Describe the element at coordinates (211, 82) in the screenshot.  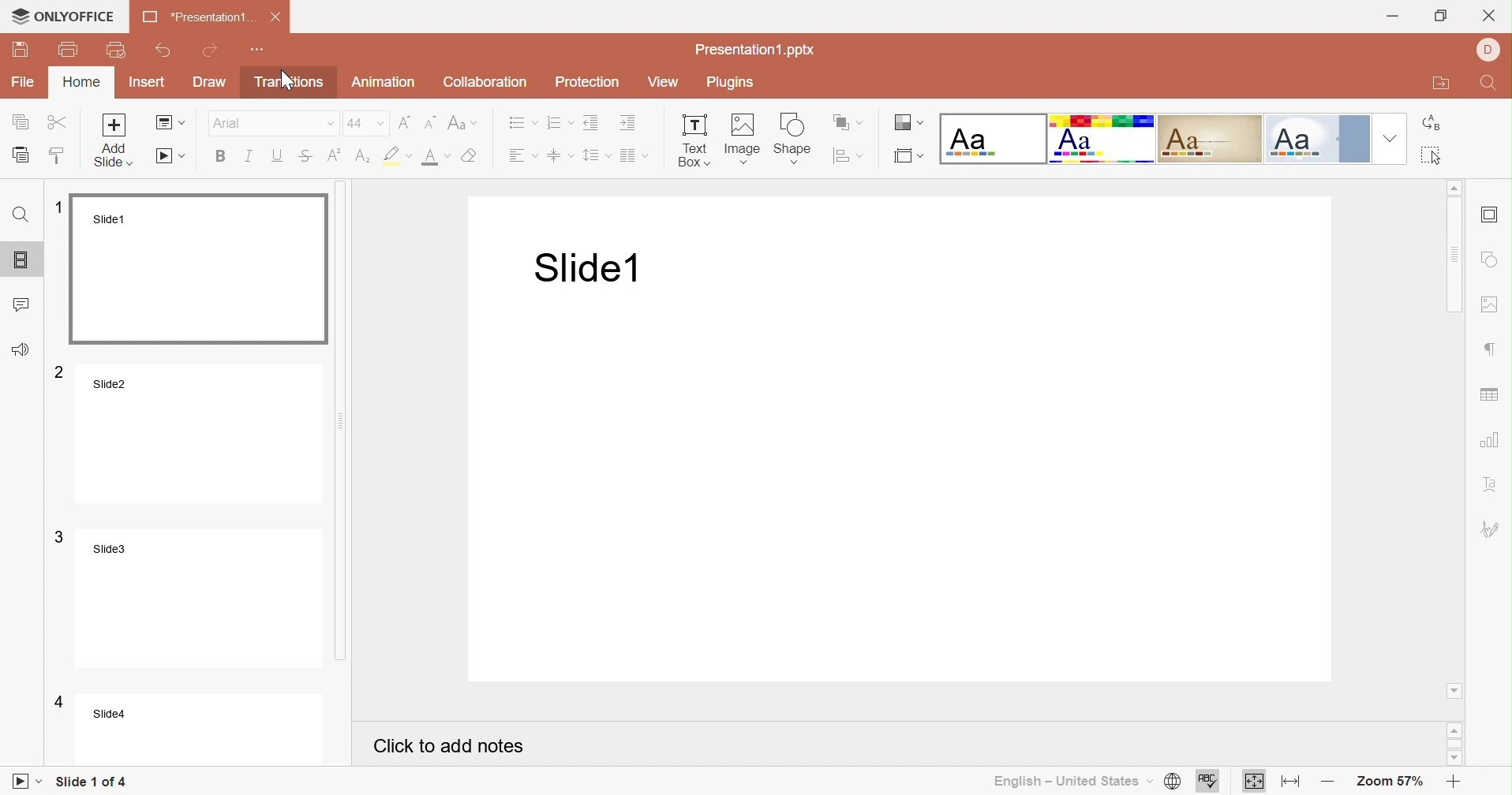
I see `Draw` at that location.